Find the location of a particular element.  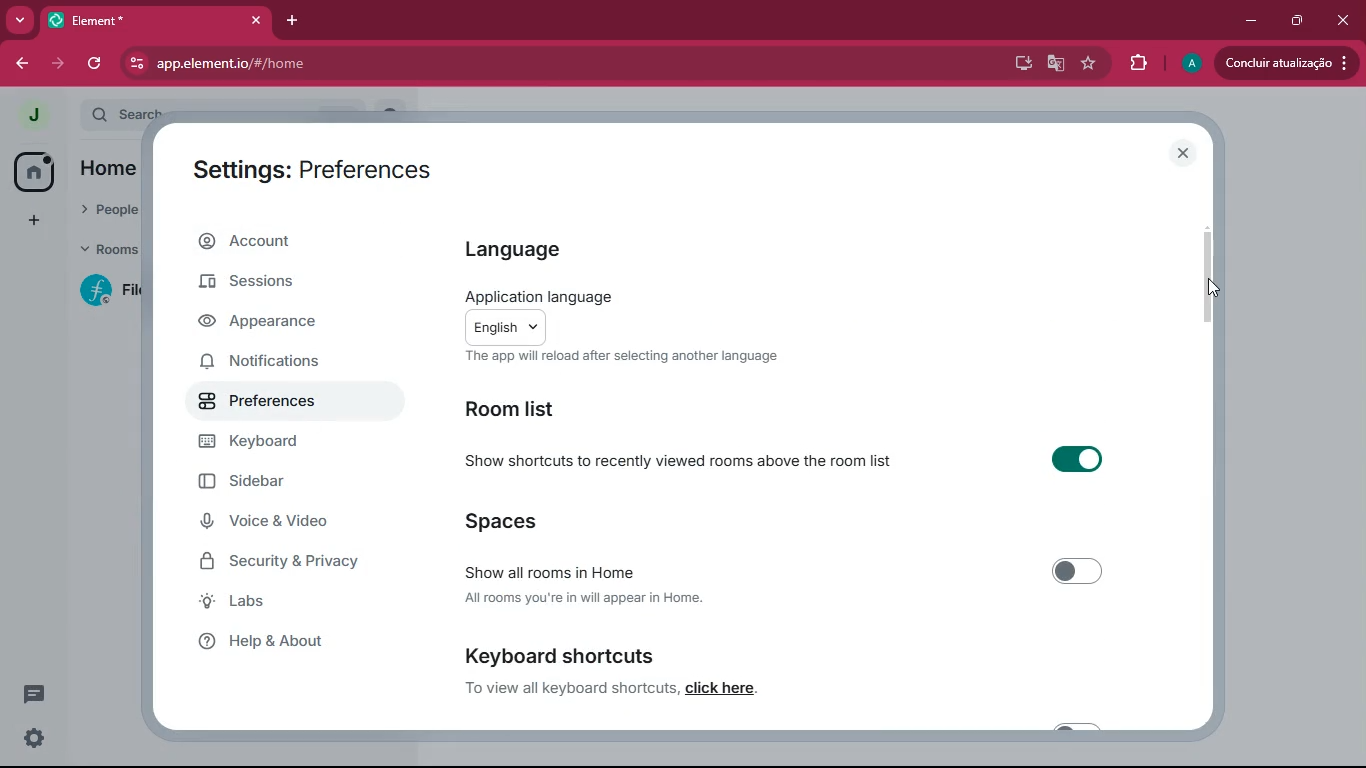

element* is located at coordinates (131, 20).